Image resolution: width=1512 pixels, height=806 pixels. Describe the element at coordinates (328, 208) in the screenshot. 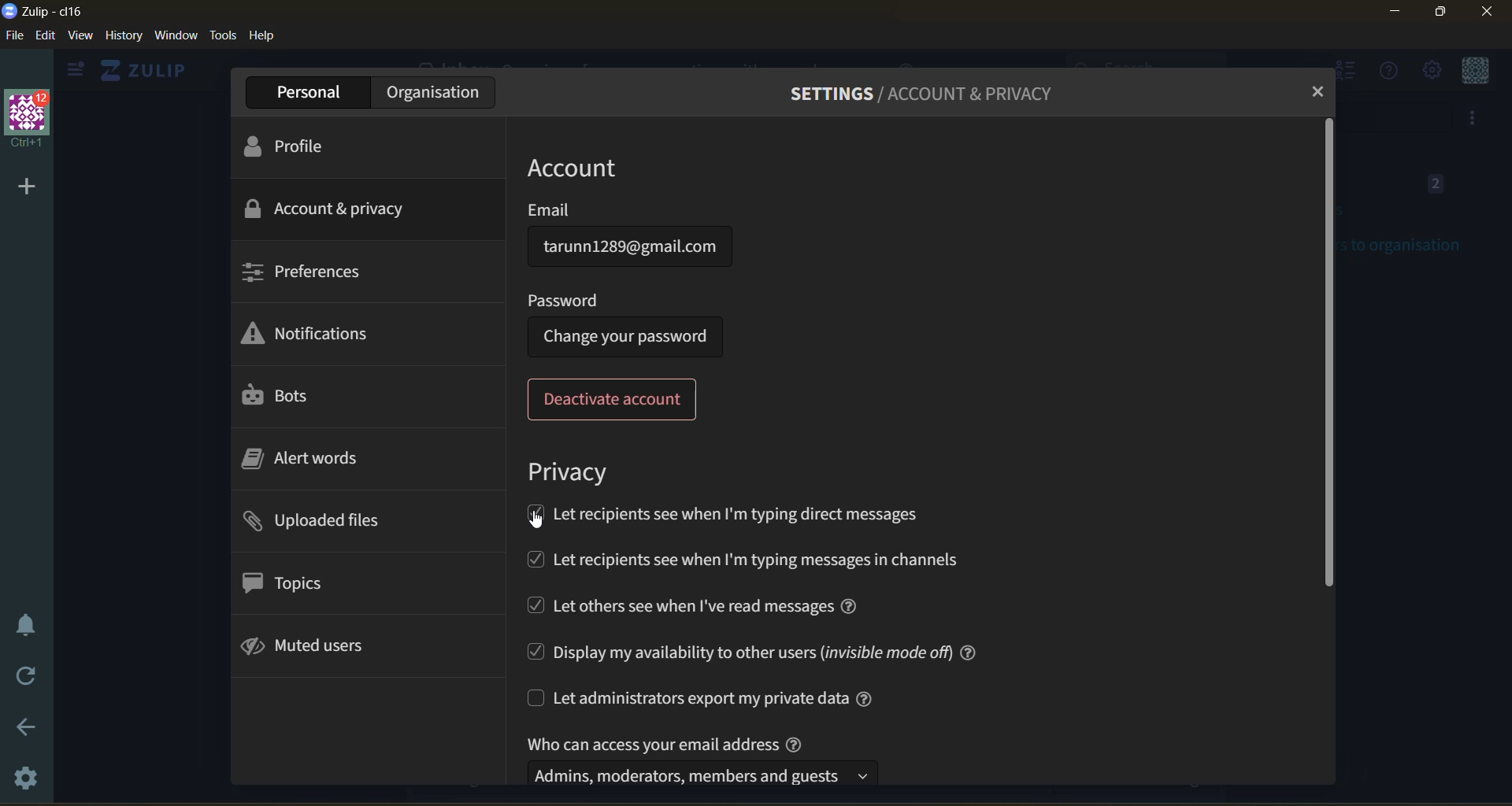

I see `account and privacy` at that location.